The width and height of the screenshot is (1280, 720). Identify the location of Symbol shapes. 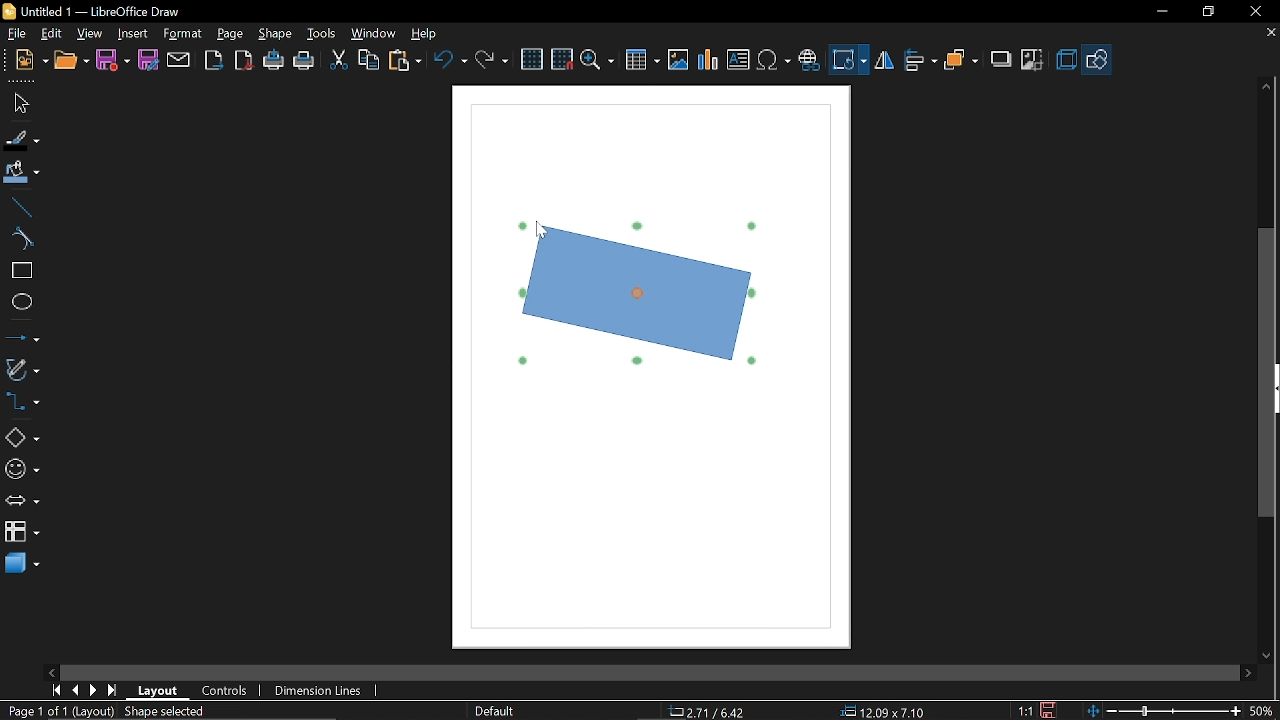
(21, 470).